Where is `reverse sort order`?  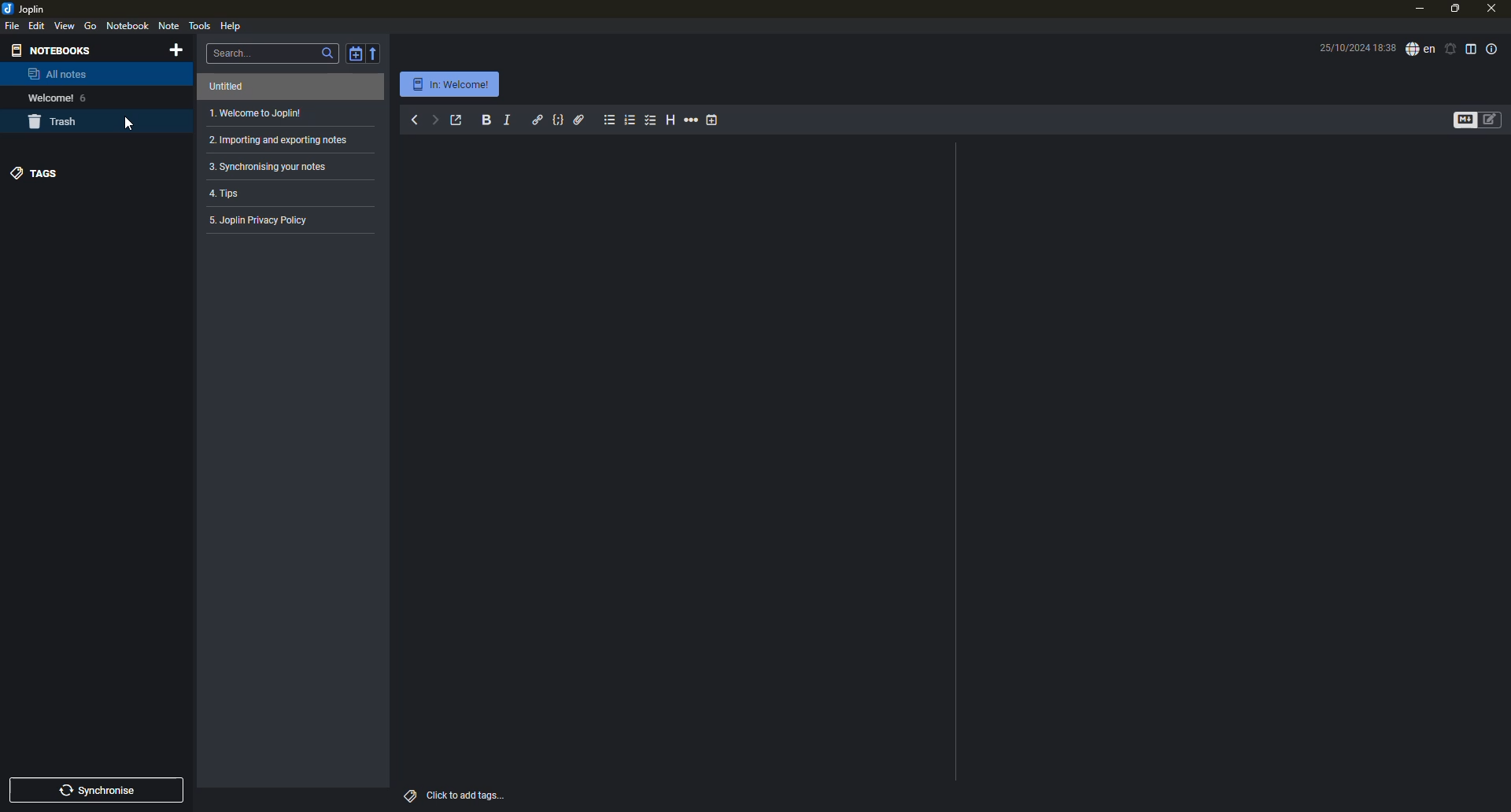
reverse sort order is located at coordinates (377, 52).